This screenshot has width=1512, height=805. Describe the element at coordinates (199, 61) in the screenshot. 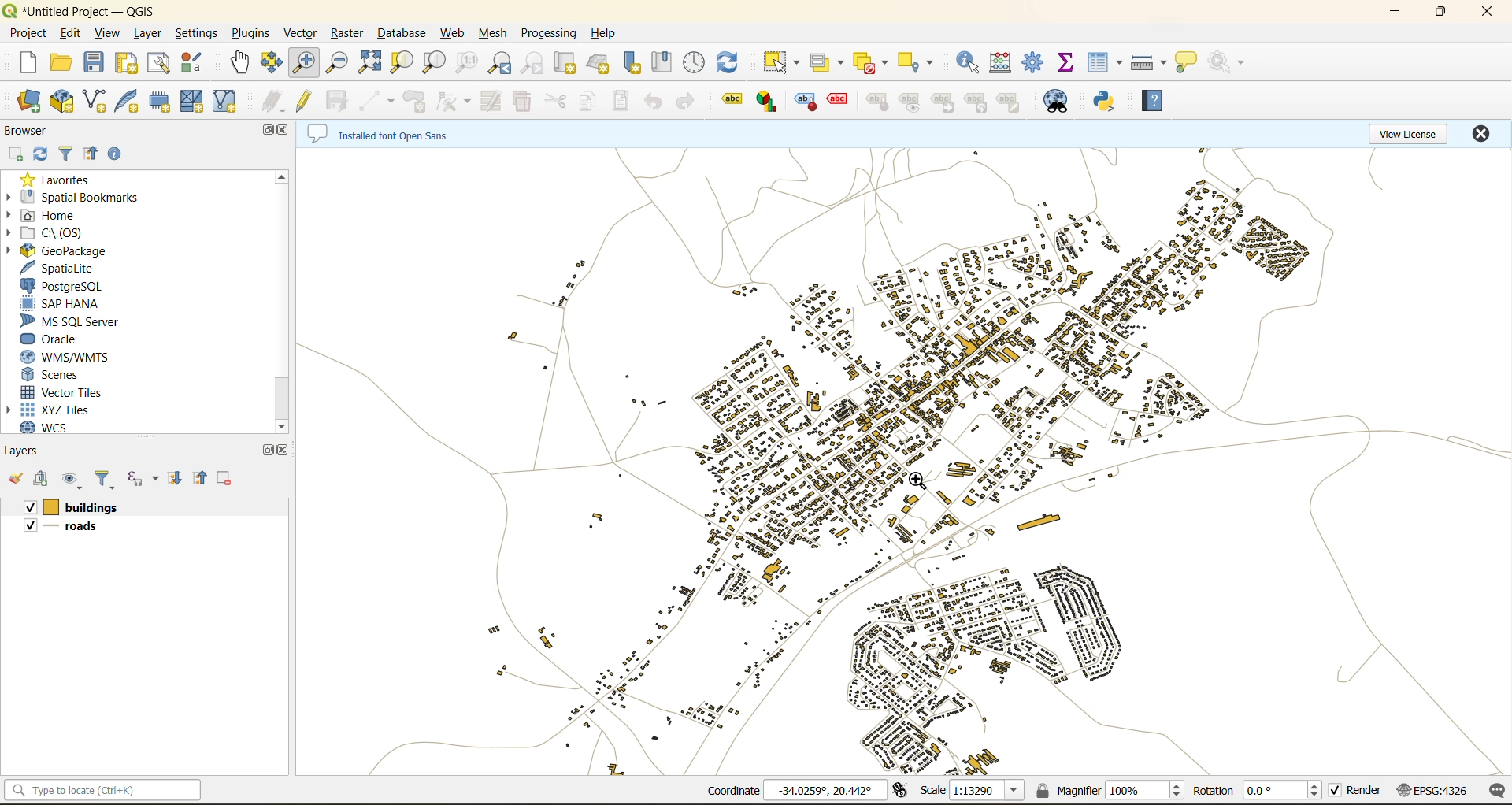

I see `style manager` at that location.